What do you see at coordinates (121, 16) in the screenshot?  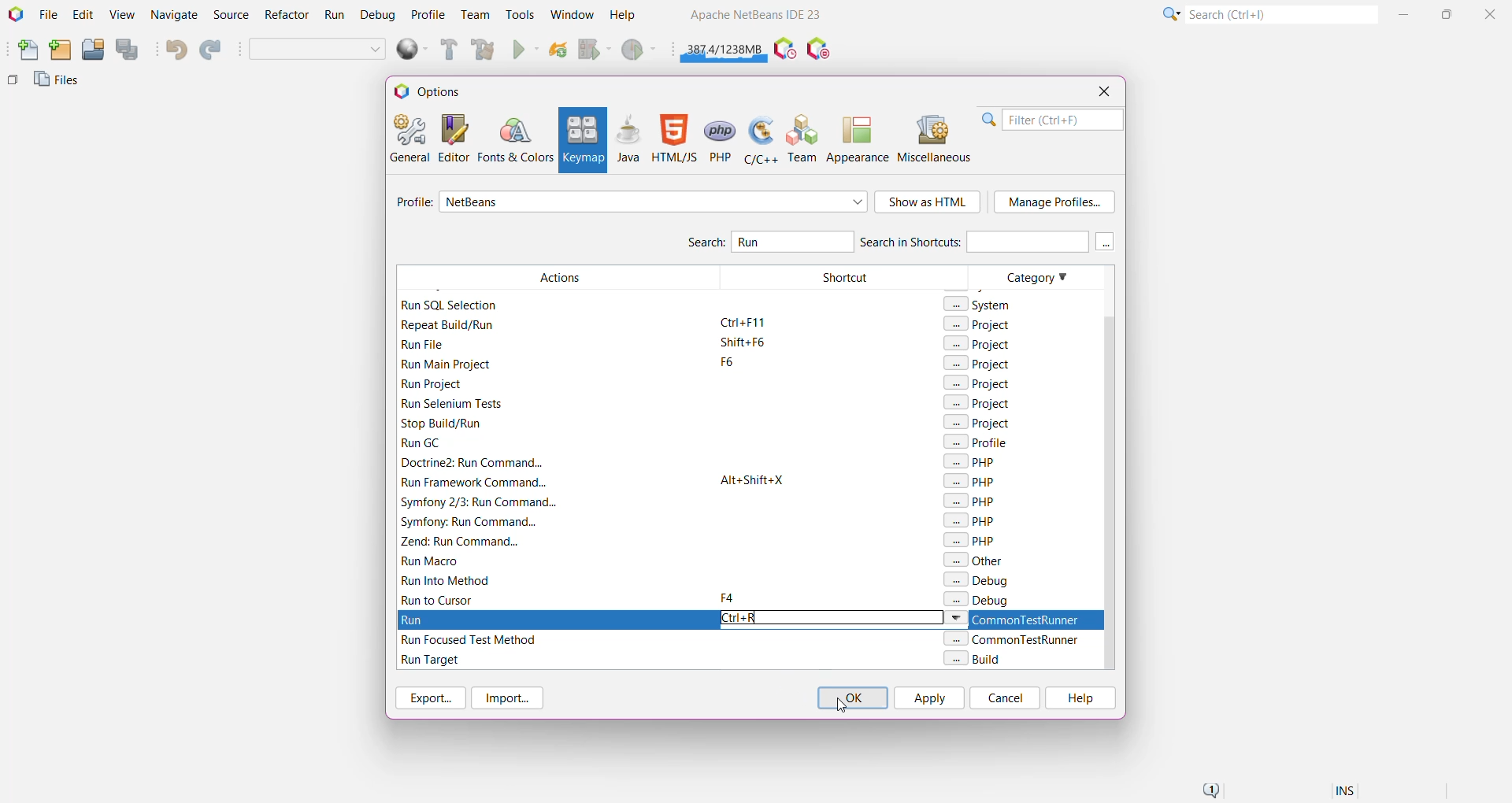 I see `View` at bounding box center [121, 16].